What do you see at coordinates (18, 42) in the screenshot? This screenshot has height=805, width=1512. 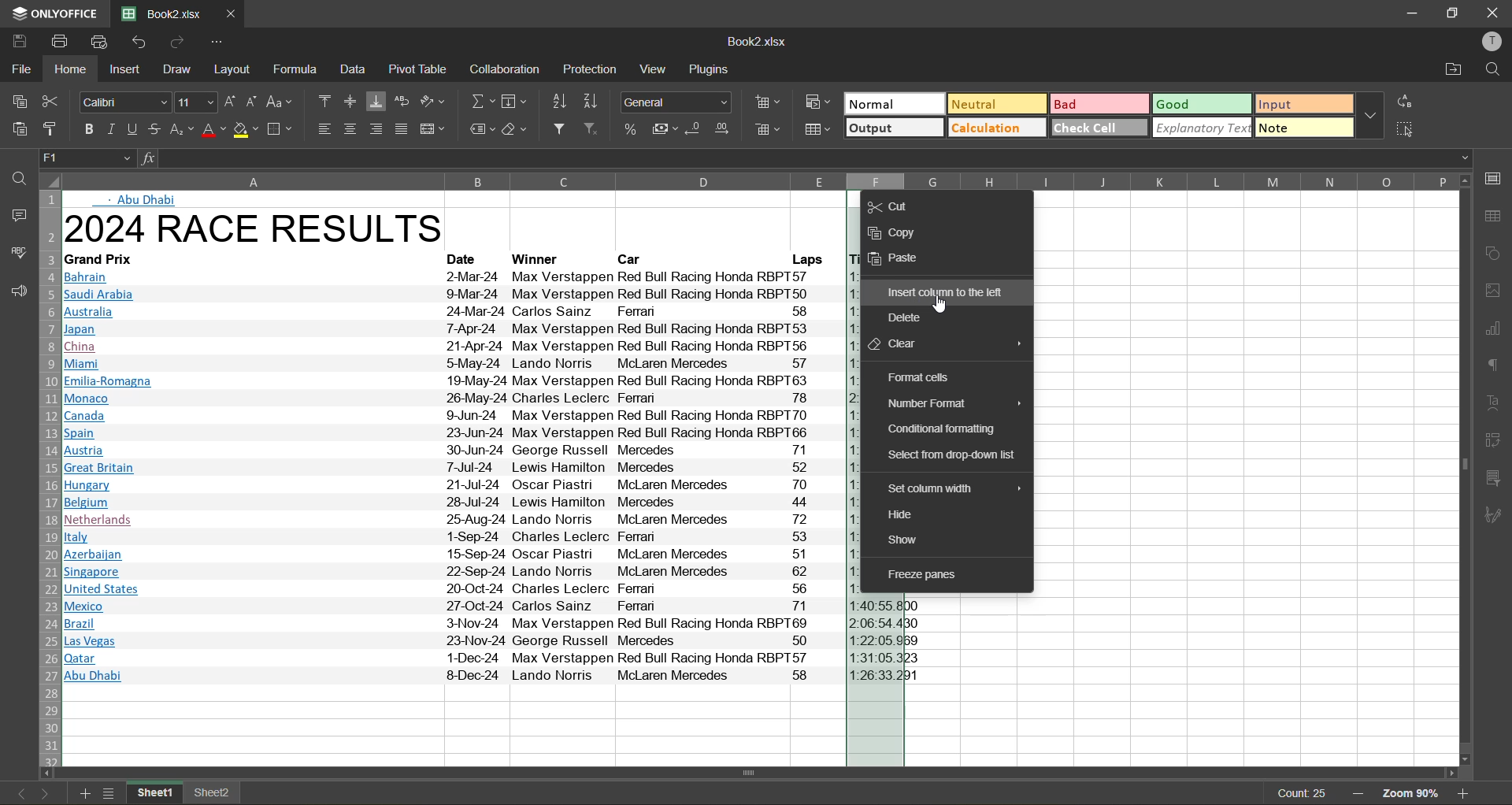 I see `save` at bounding box center [18, 42].